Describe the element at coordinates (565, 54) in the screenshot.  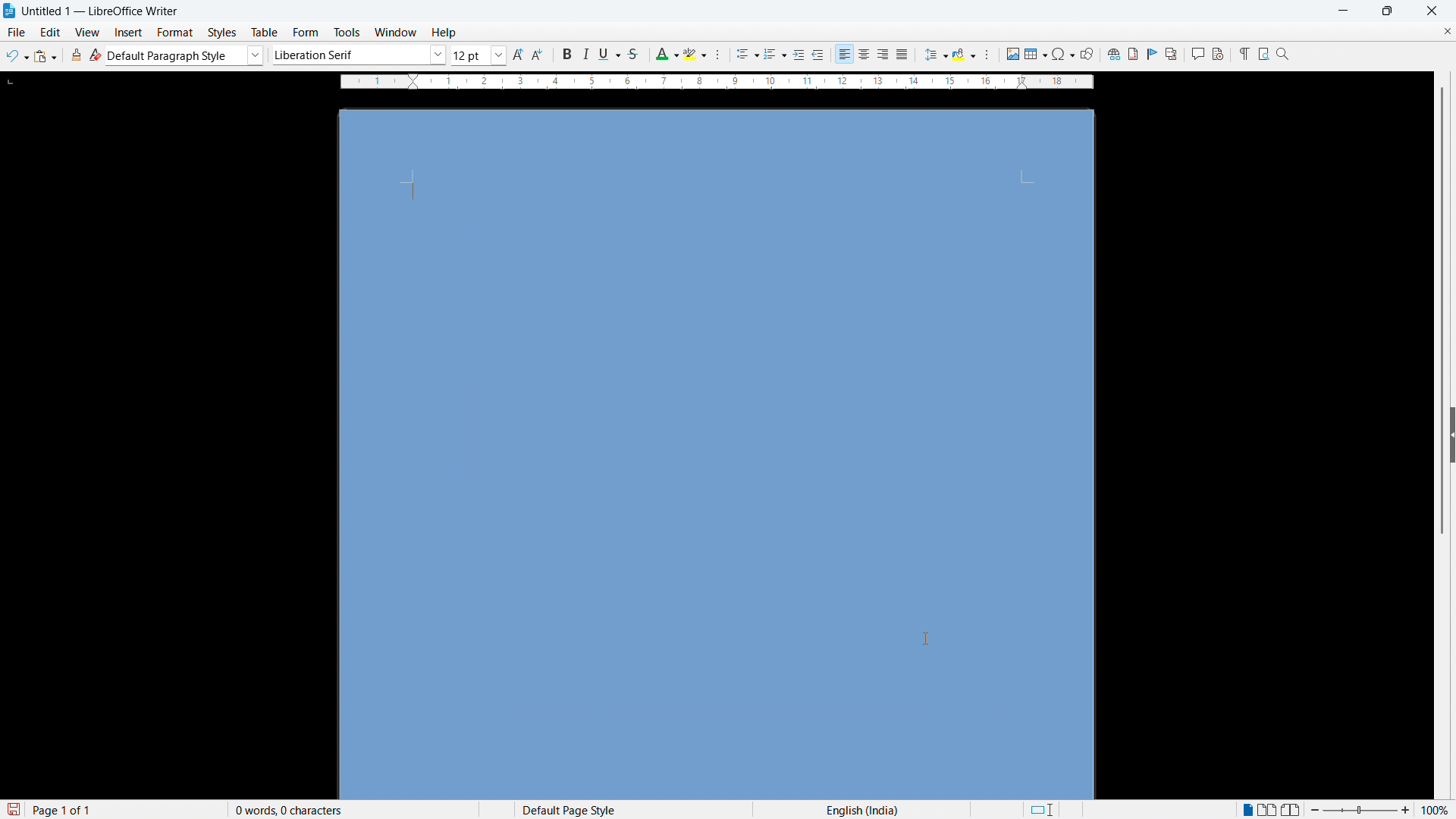
I see `Bold ` at that location.